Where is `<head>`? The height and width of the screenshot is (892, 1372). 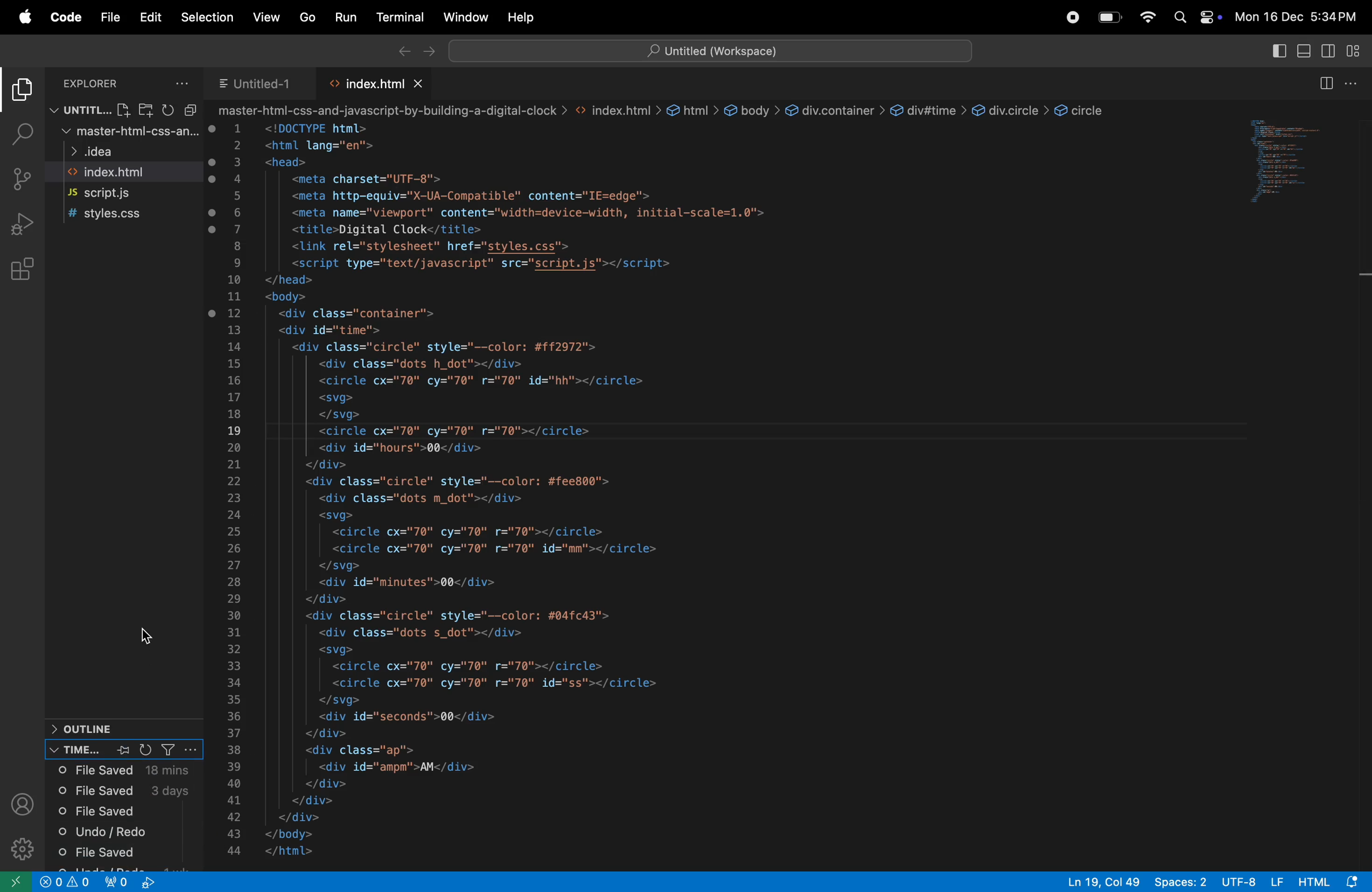
<head> is located at coordinates (291, 162).